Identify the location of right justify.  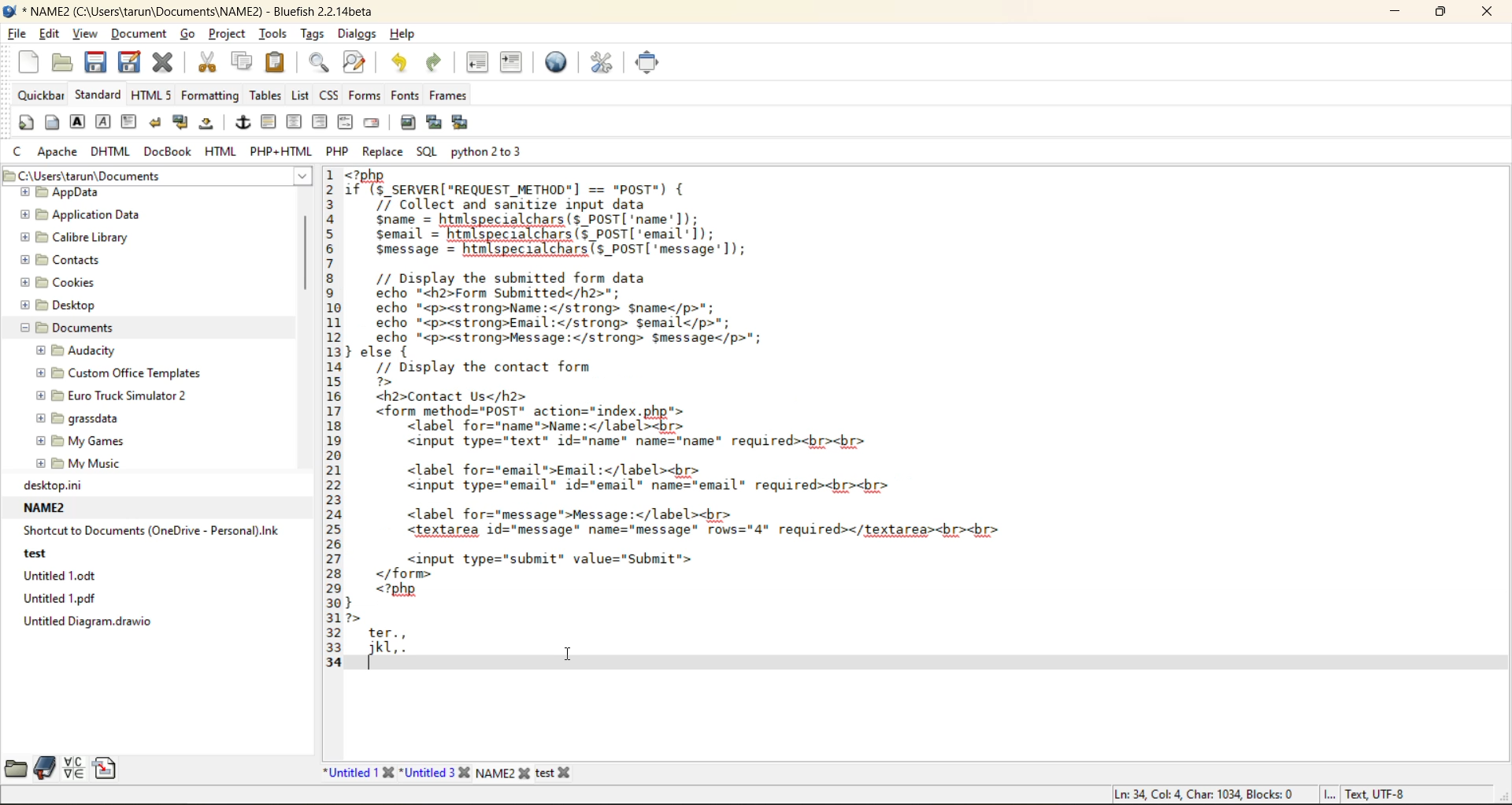
(320, 121).